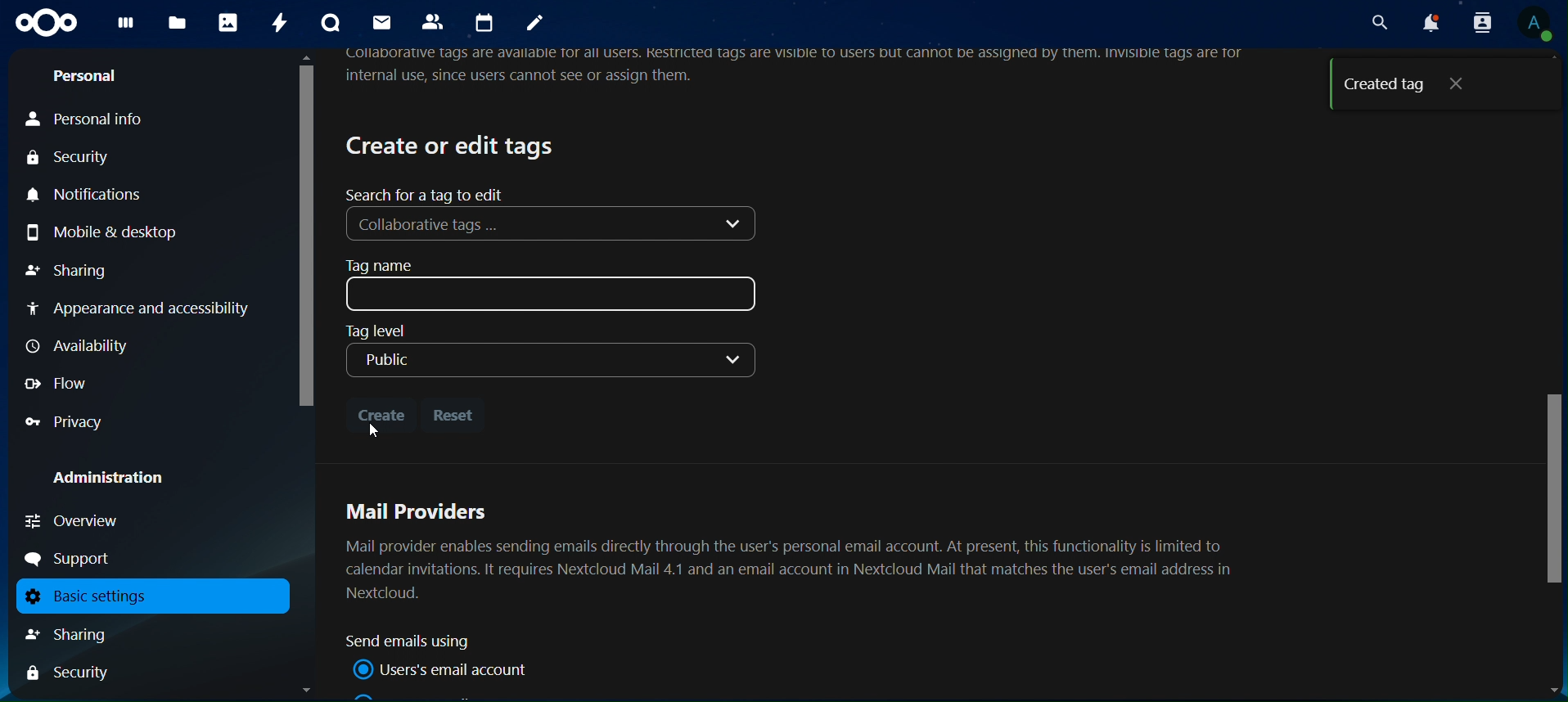 The height and width of the screenshot is (702, 1568). I want to click on Public, so click(549, 359).